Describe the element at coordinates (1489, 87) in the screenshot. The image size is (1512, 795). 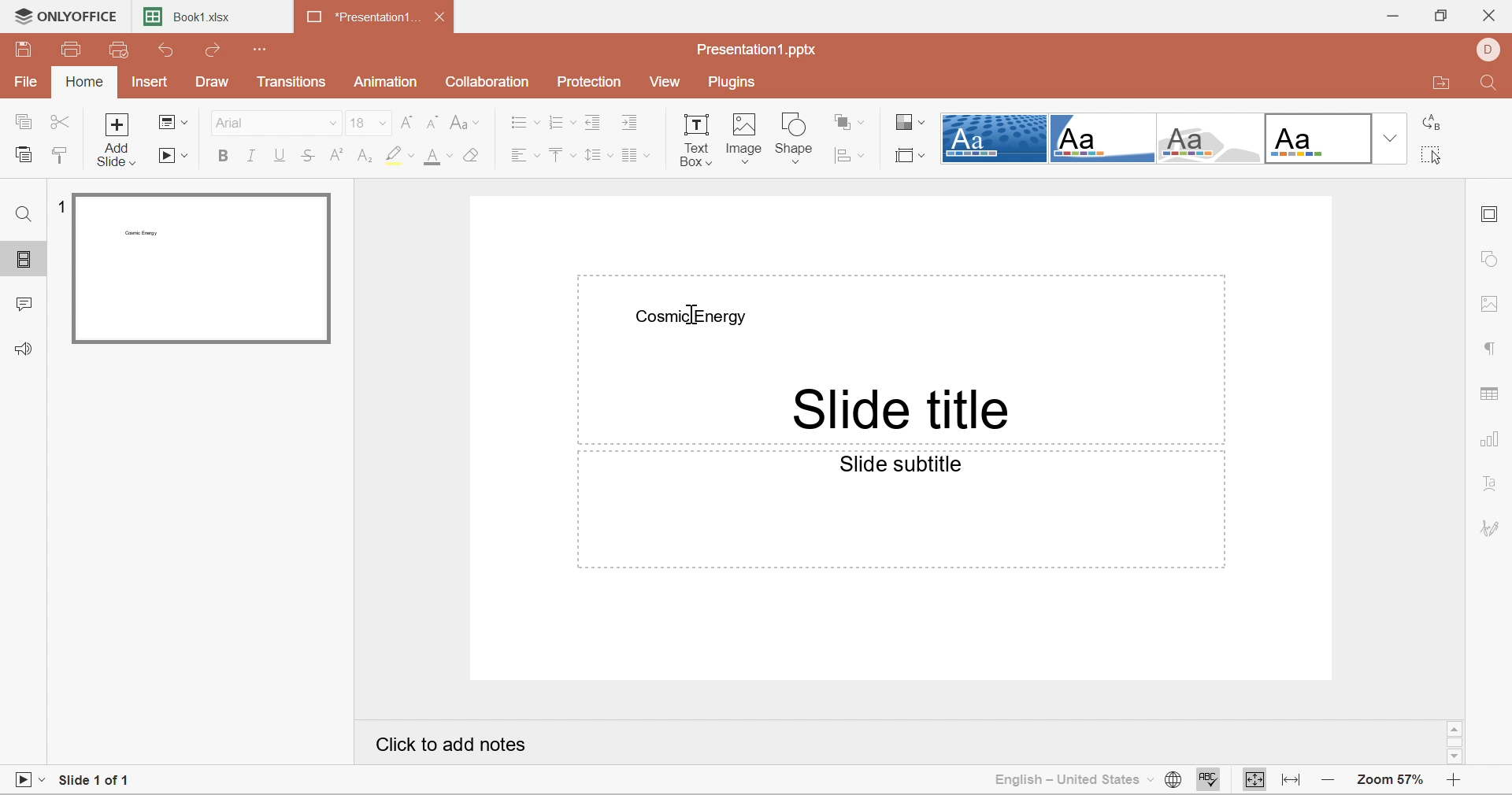
I see `Find` at that location.